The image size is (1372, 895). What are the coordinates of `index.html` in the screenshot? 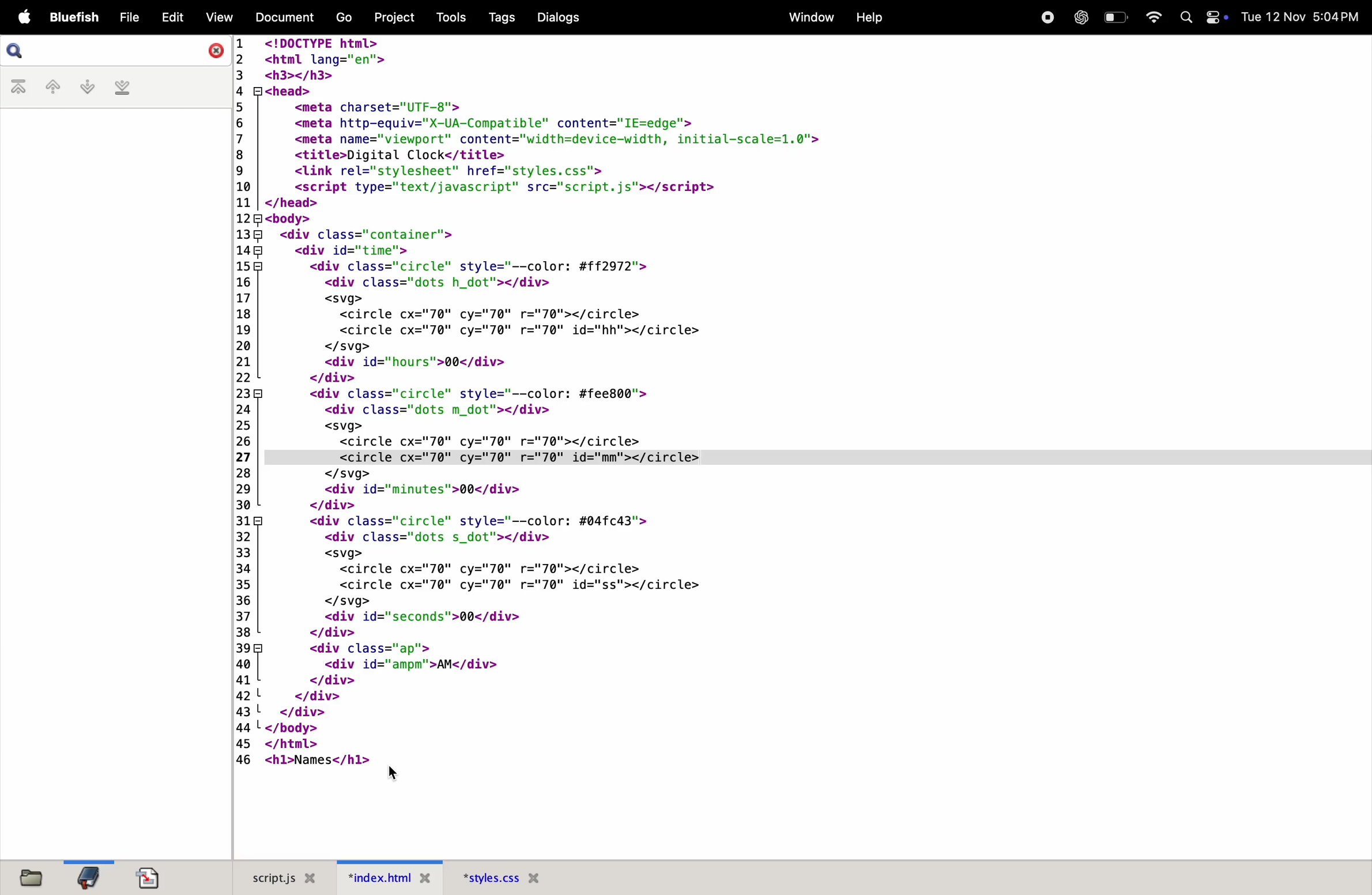 It's located at (390, 876).